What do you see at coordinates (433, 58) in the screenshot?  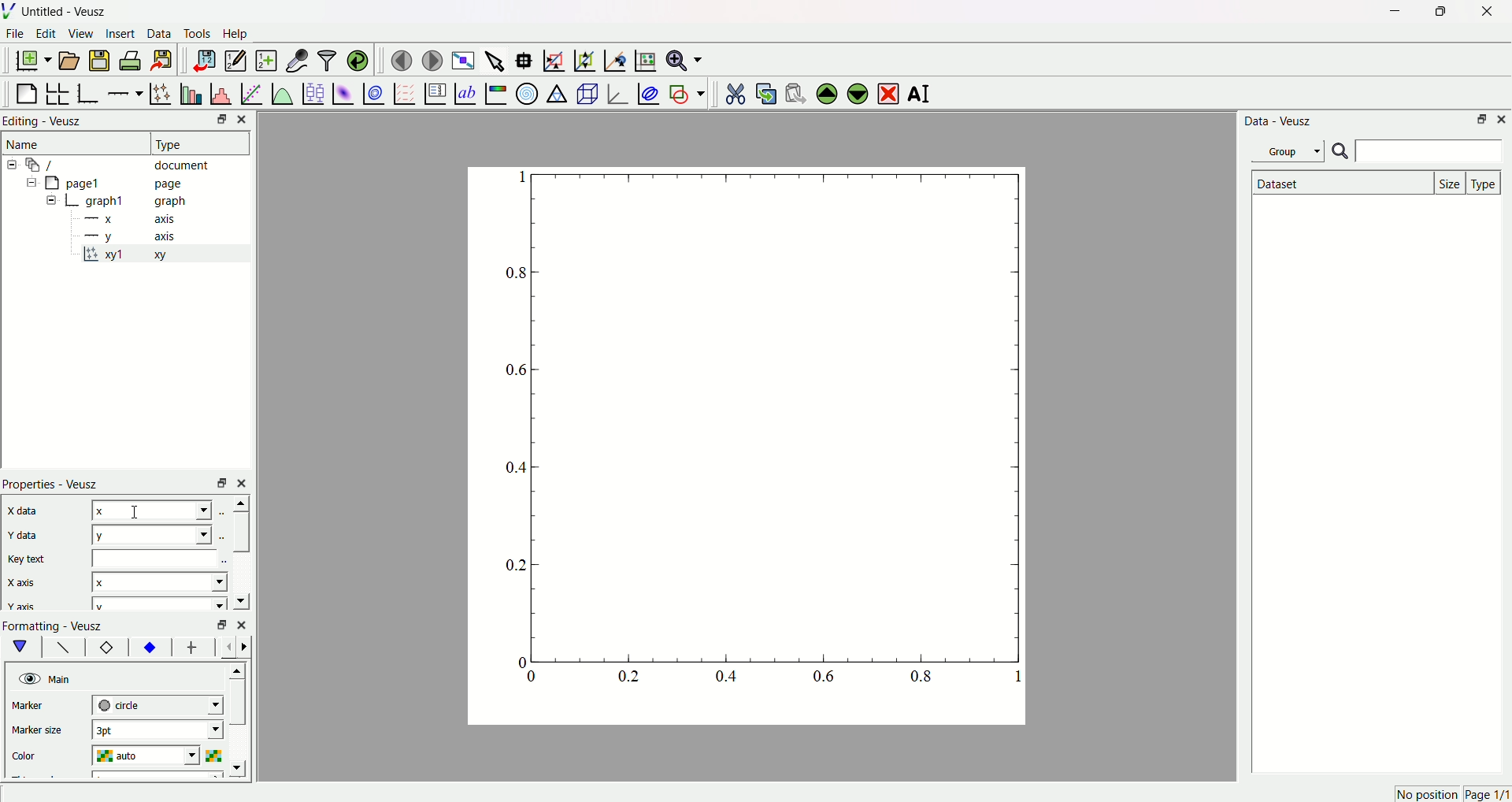 I see `move to next page` at bounding box center [433, 58].